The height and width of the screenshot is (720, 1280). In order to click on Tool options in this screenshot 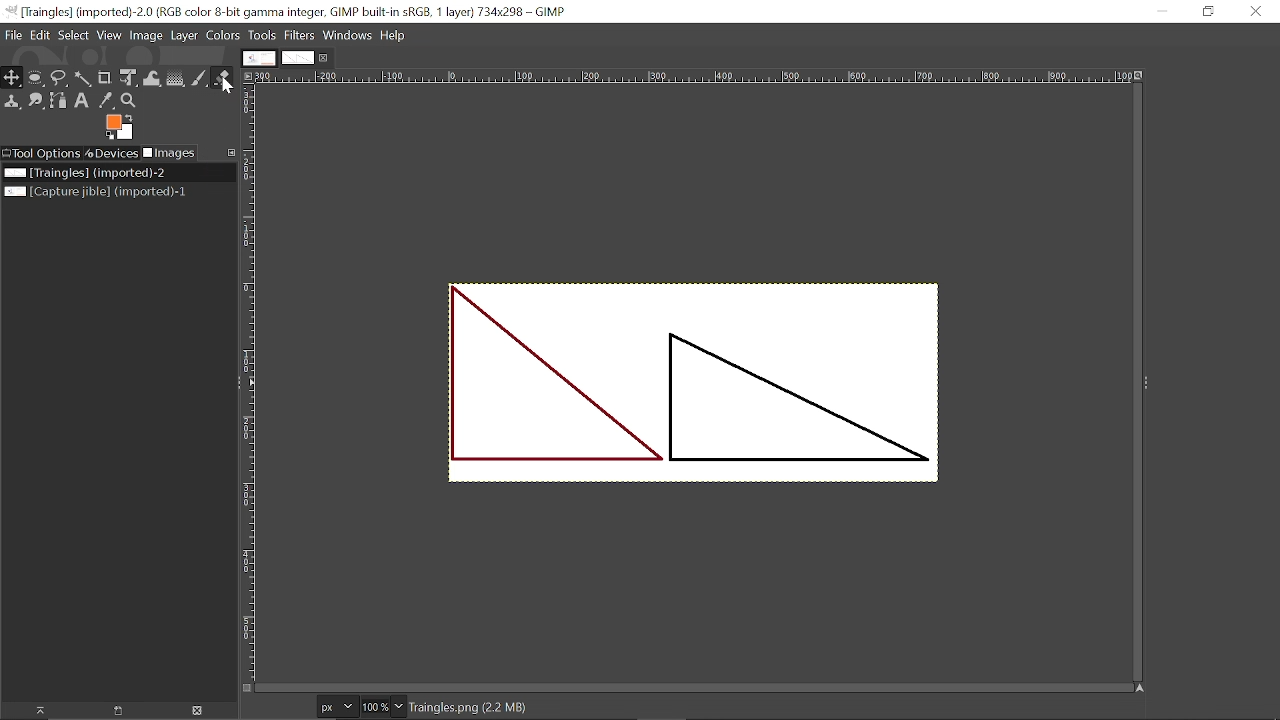, I will do `click(42, 153)`.